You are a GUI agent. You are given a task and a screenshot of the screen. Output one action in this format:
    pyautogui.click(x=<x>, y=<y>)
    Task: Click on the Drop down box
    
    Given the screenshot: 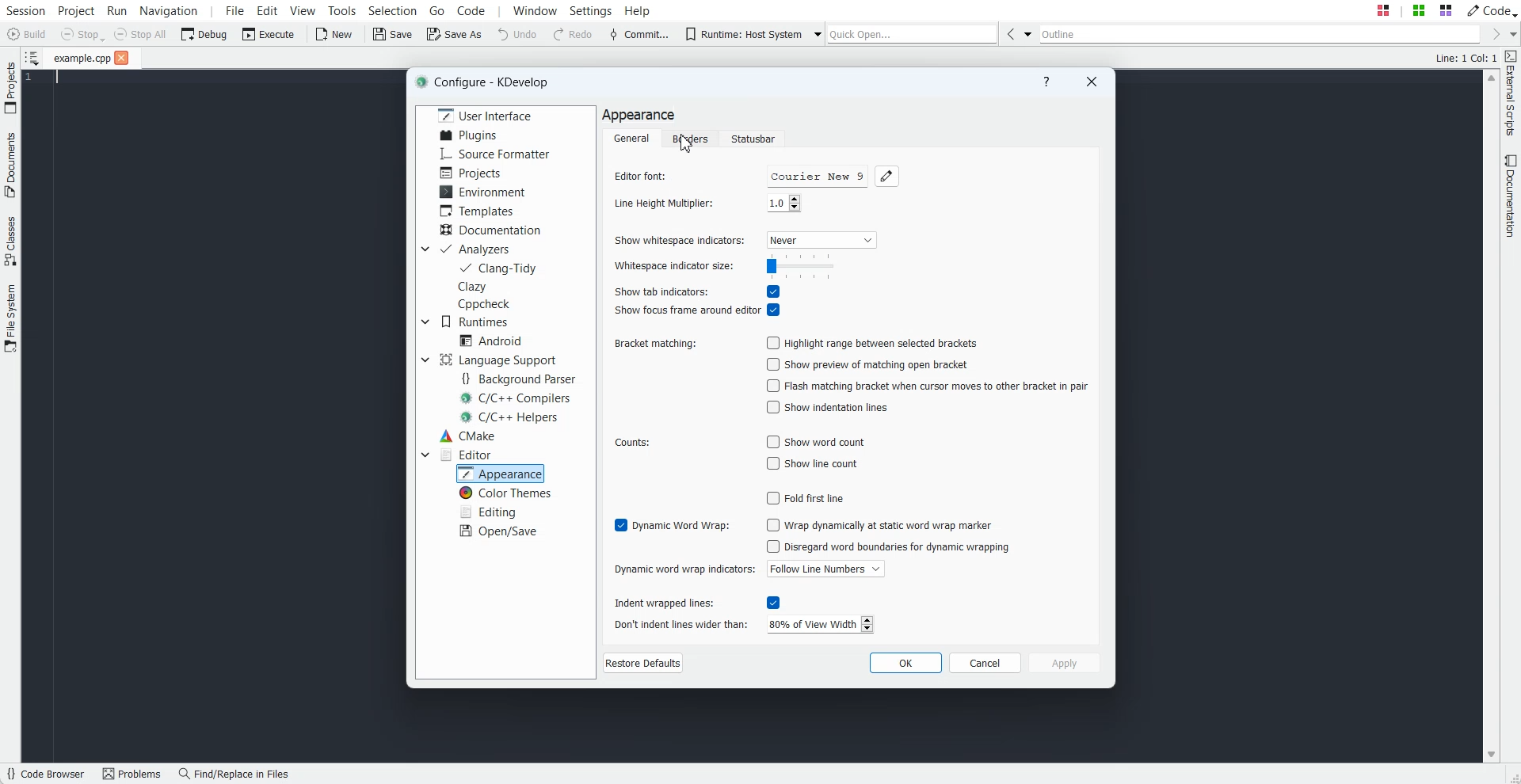 What is the action you would take?
    pyautogui.click(x=425, y=321)
    